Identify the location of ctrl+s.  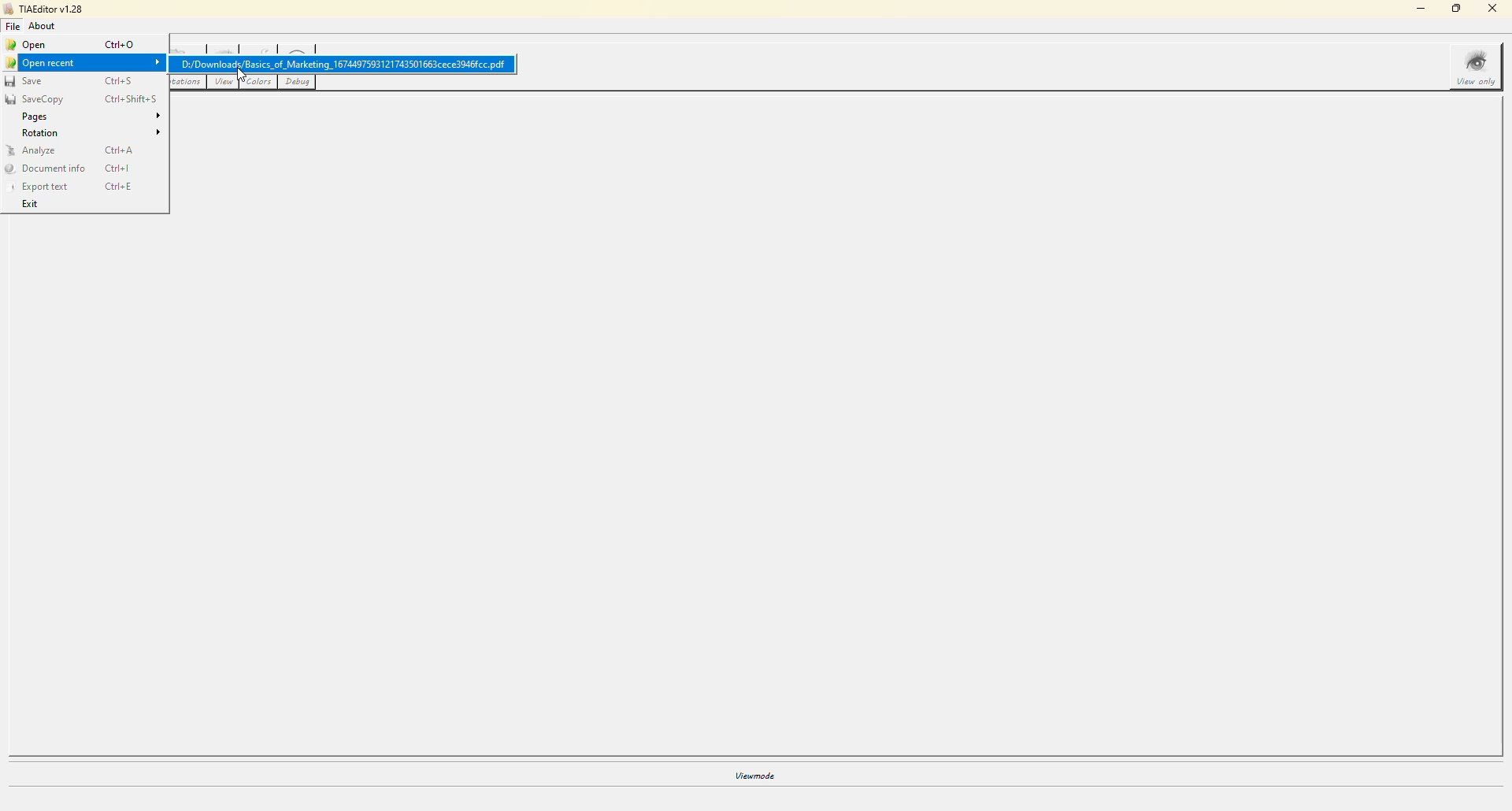
(123, 80).